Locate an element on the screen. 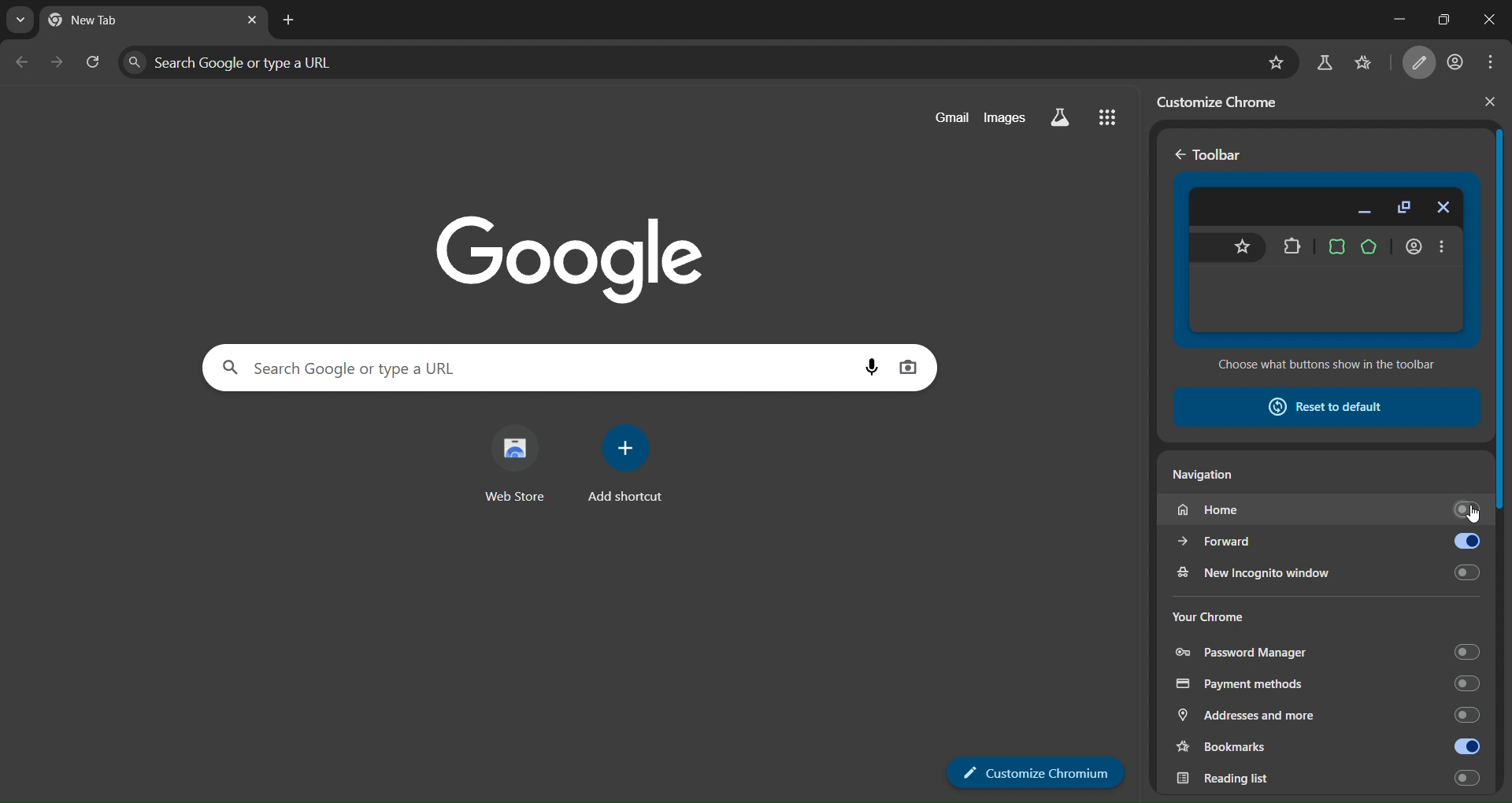 The width and height of the screenshot is (1512, 803). bookmark page is located at coordinates (1271, 62).